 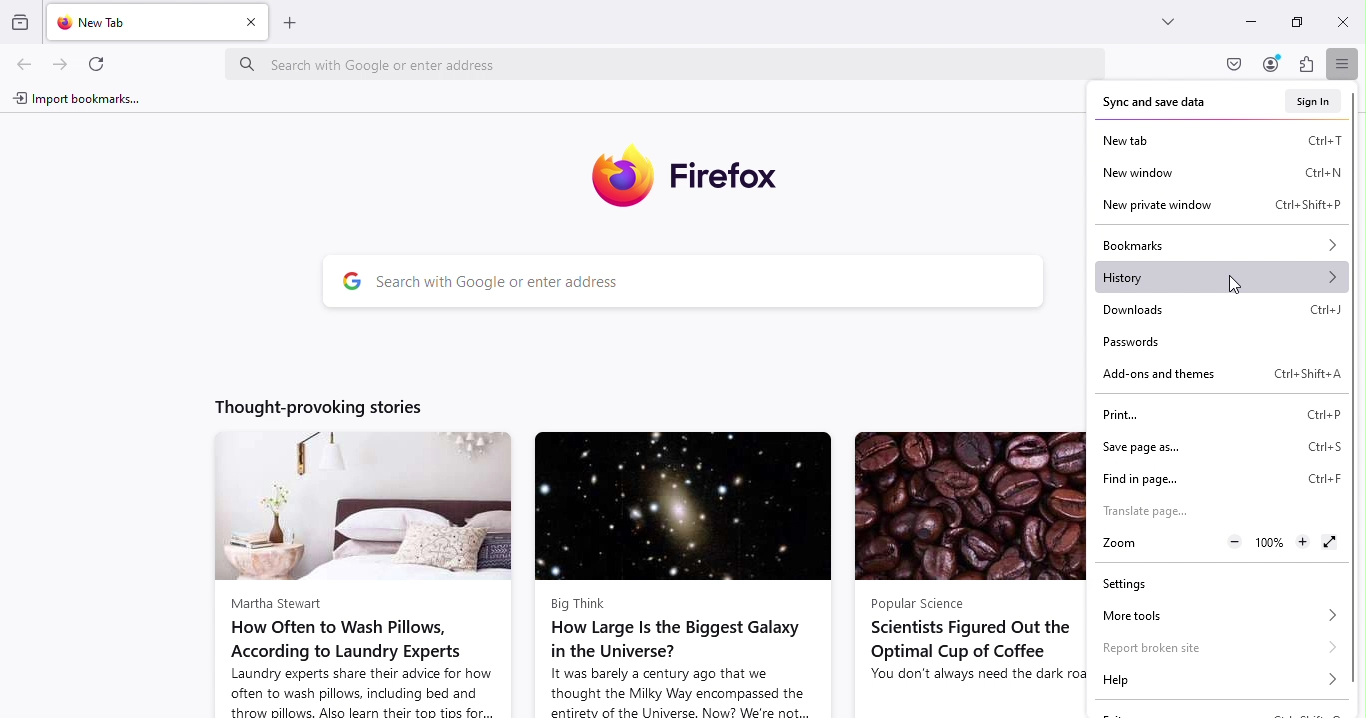 I want to click on Search bar, so click(x=702, y=284).